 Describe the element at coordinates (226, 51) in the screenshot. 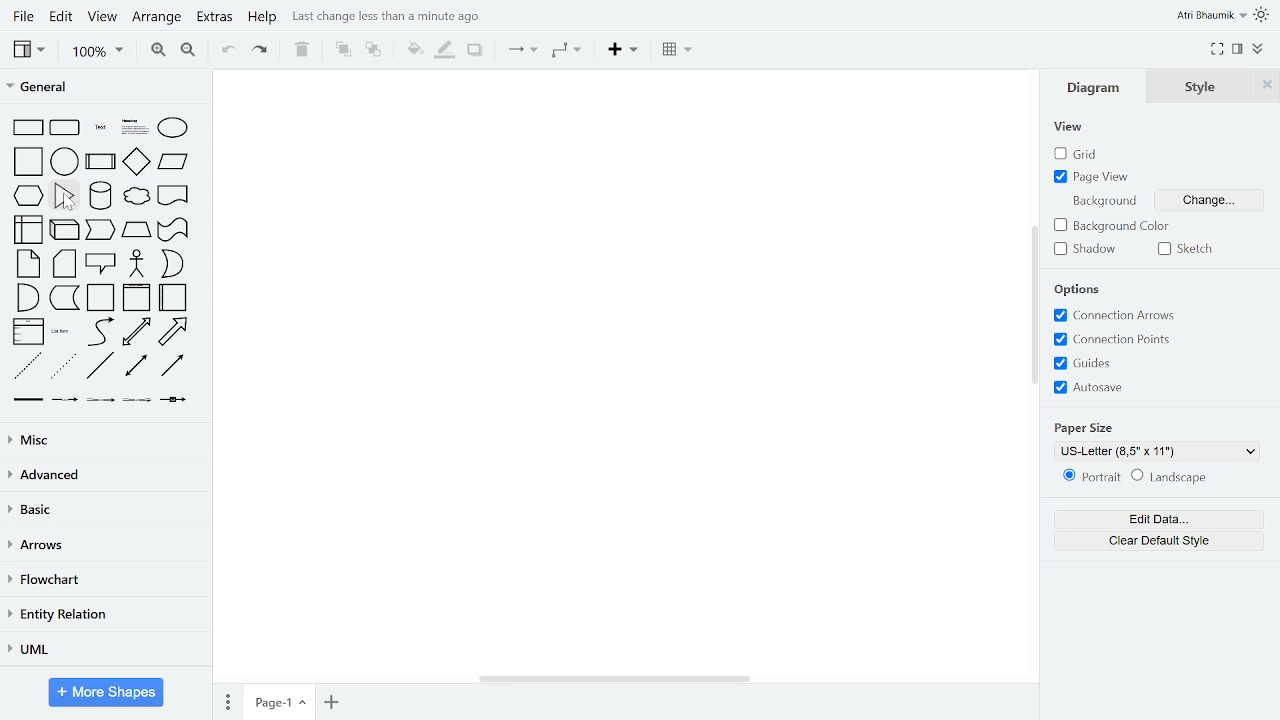

I see `undo` at that location.